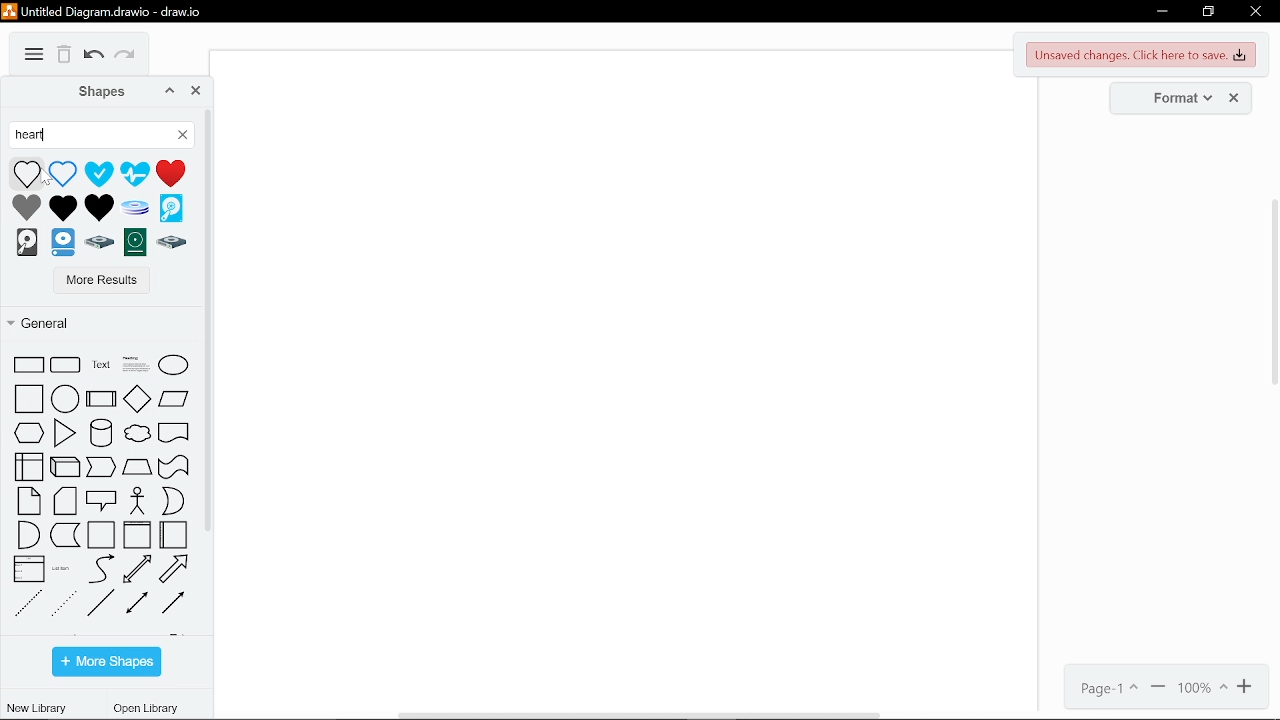  What do you see at coordinates (65, 467) in the screenshot?
I see `cube` at bounding box center [65, 467].